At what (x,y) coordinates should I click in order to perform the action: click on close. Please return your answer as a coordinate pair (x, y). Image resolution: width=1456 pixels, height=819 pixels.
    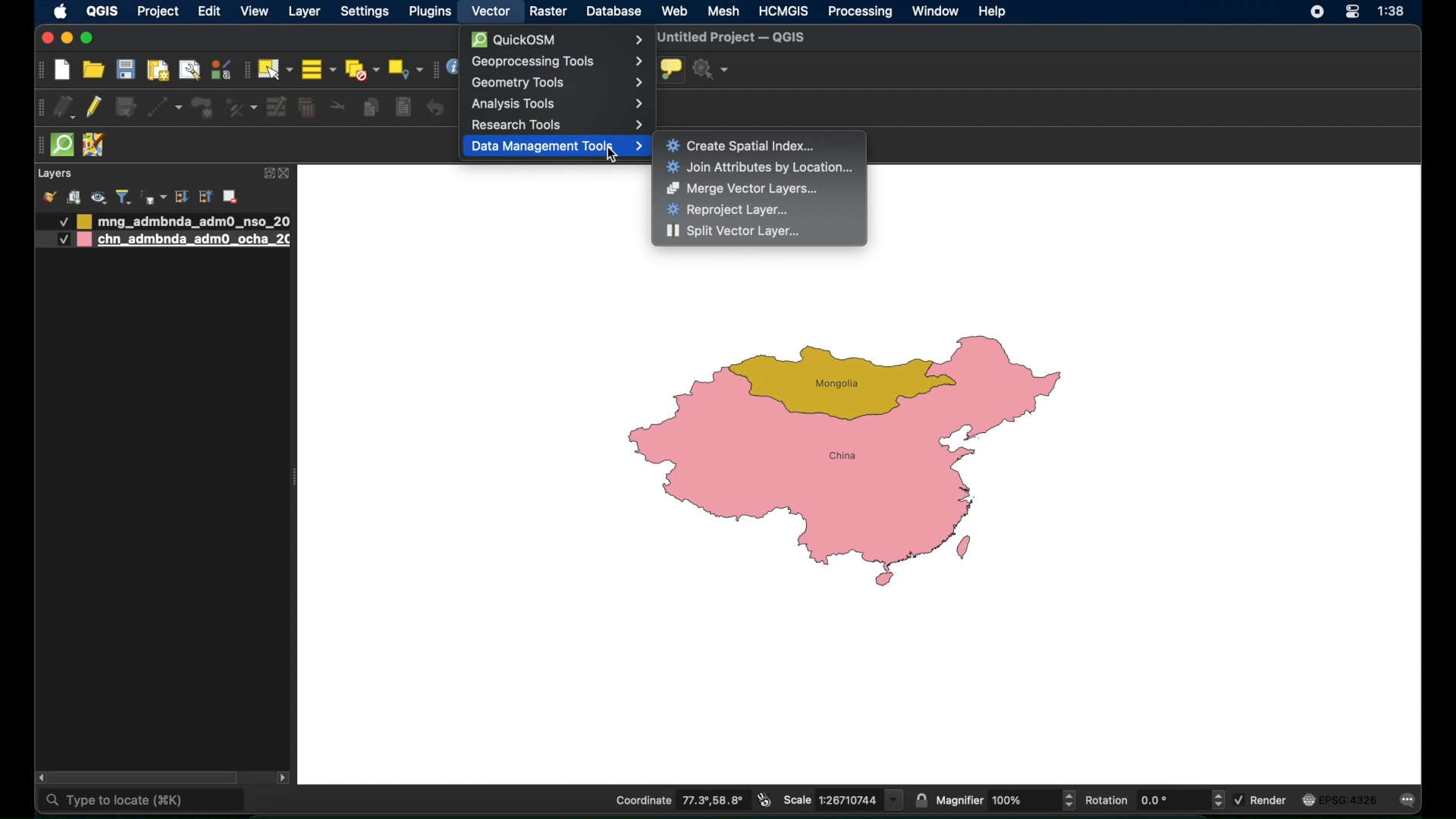
    Looking at the image, I should click on (288, 174).